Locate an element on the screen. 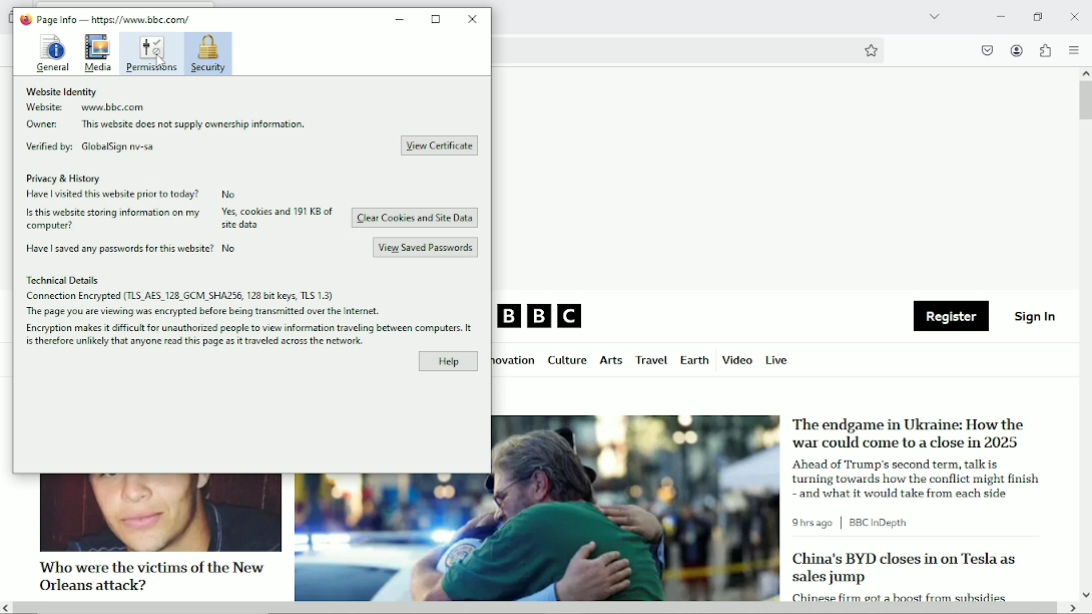 The height and width of the screenshot is (614, 1092). resize is located at coordinates (437, 19).